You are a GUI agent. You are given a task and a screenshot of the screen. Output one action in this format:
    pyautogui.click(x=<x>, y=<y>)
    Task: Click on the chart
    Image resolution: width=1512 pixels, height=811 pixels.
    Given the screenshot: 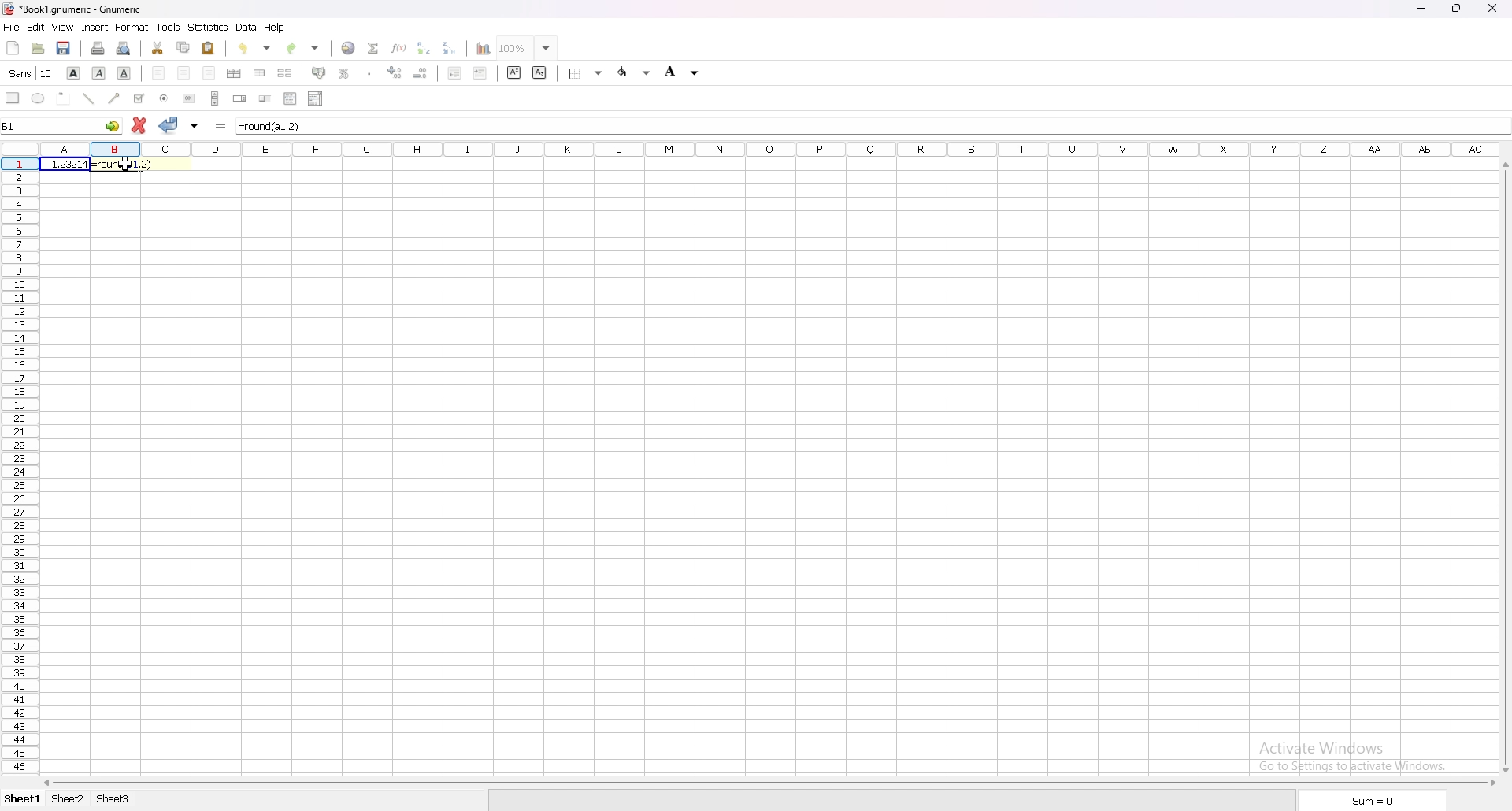 What is the action you would take?
    pyautogui.click(x=484, y=49)
    